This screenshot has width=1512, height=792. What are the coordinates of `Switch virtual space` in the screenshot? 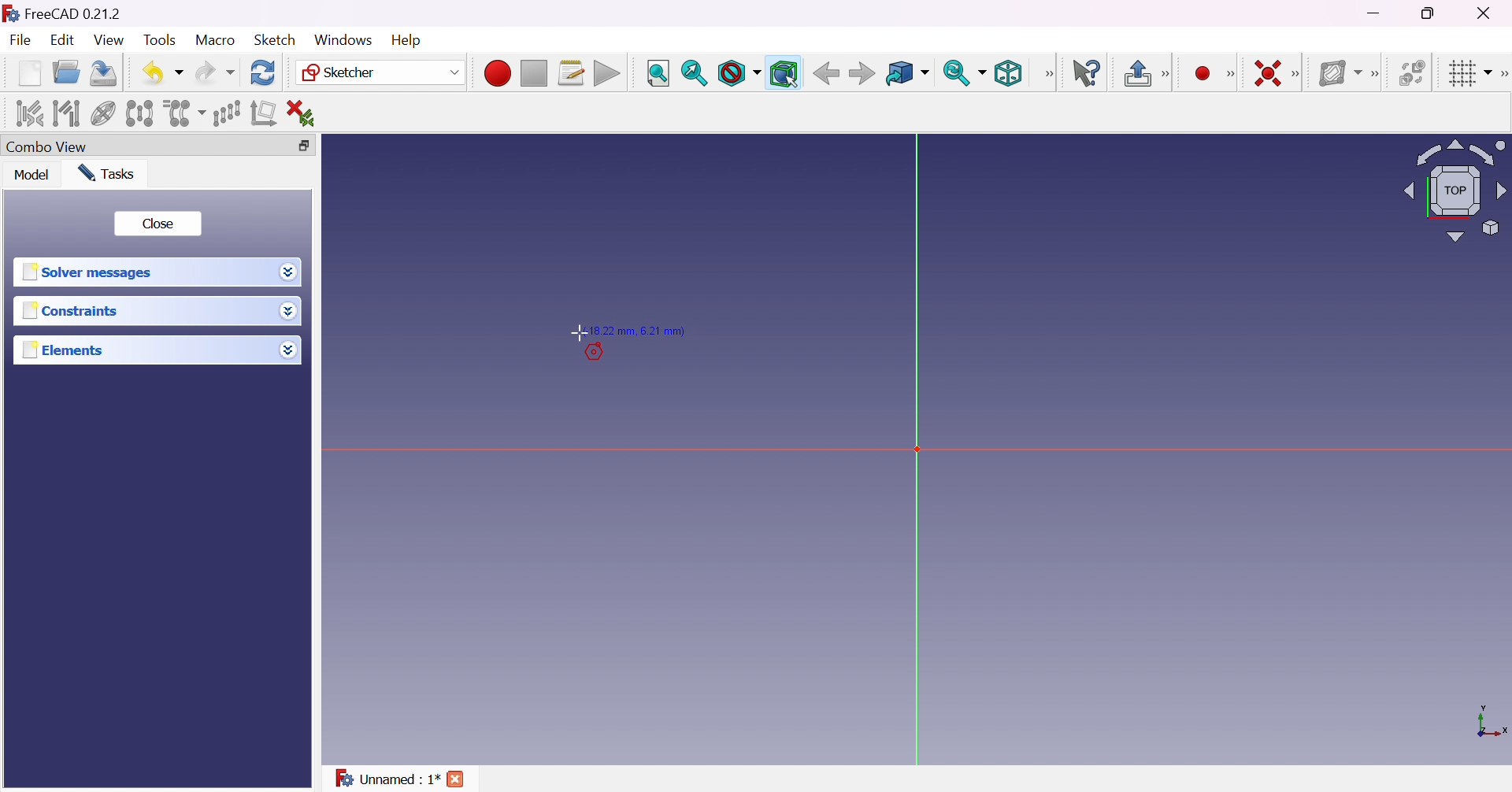 It's located at (1410, 72).